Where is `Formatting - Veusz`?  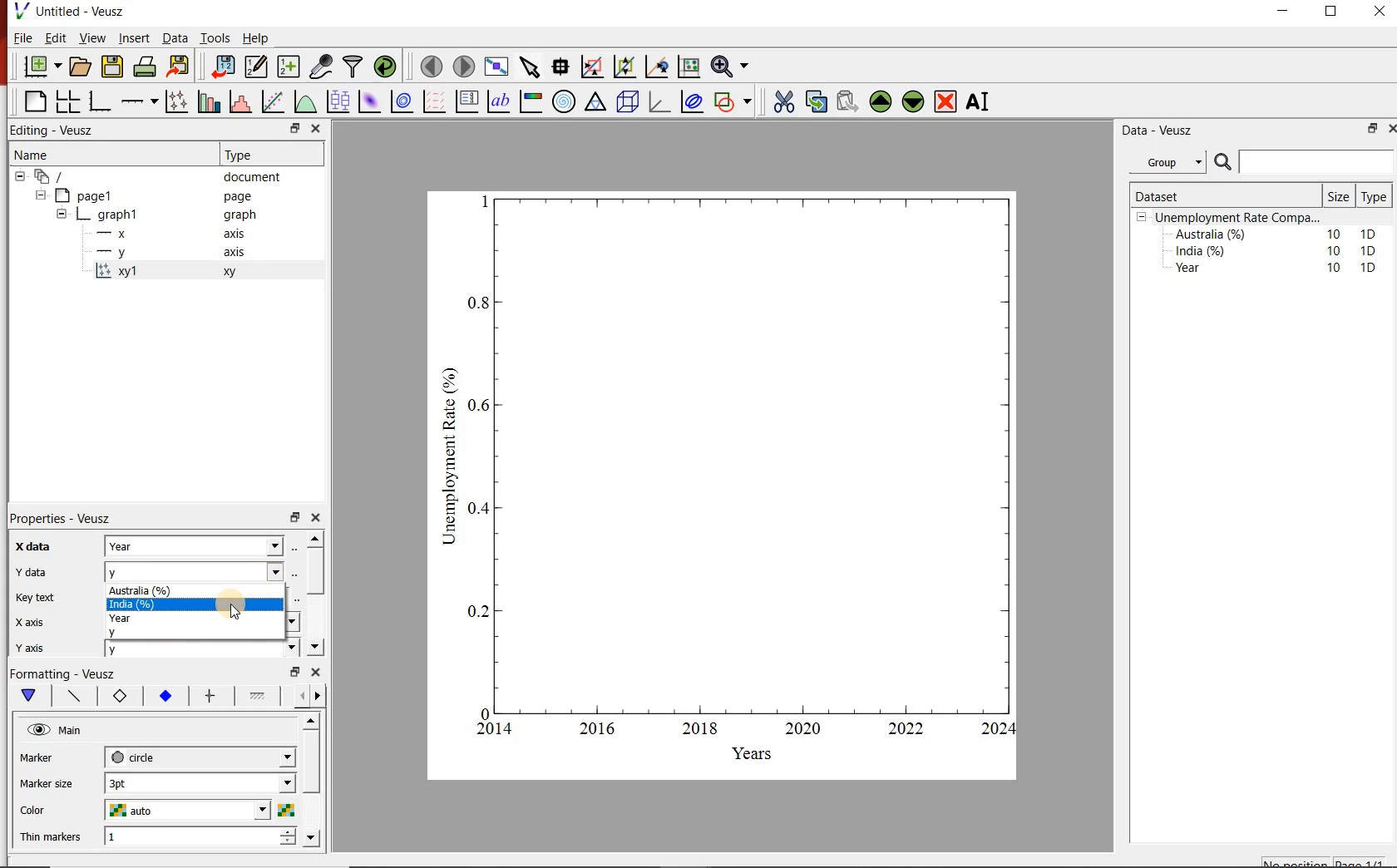 Formatting - Veusz is located at coordinates (62, 672).